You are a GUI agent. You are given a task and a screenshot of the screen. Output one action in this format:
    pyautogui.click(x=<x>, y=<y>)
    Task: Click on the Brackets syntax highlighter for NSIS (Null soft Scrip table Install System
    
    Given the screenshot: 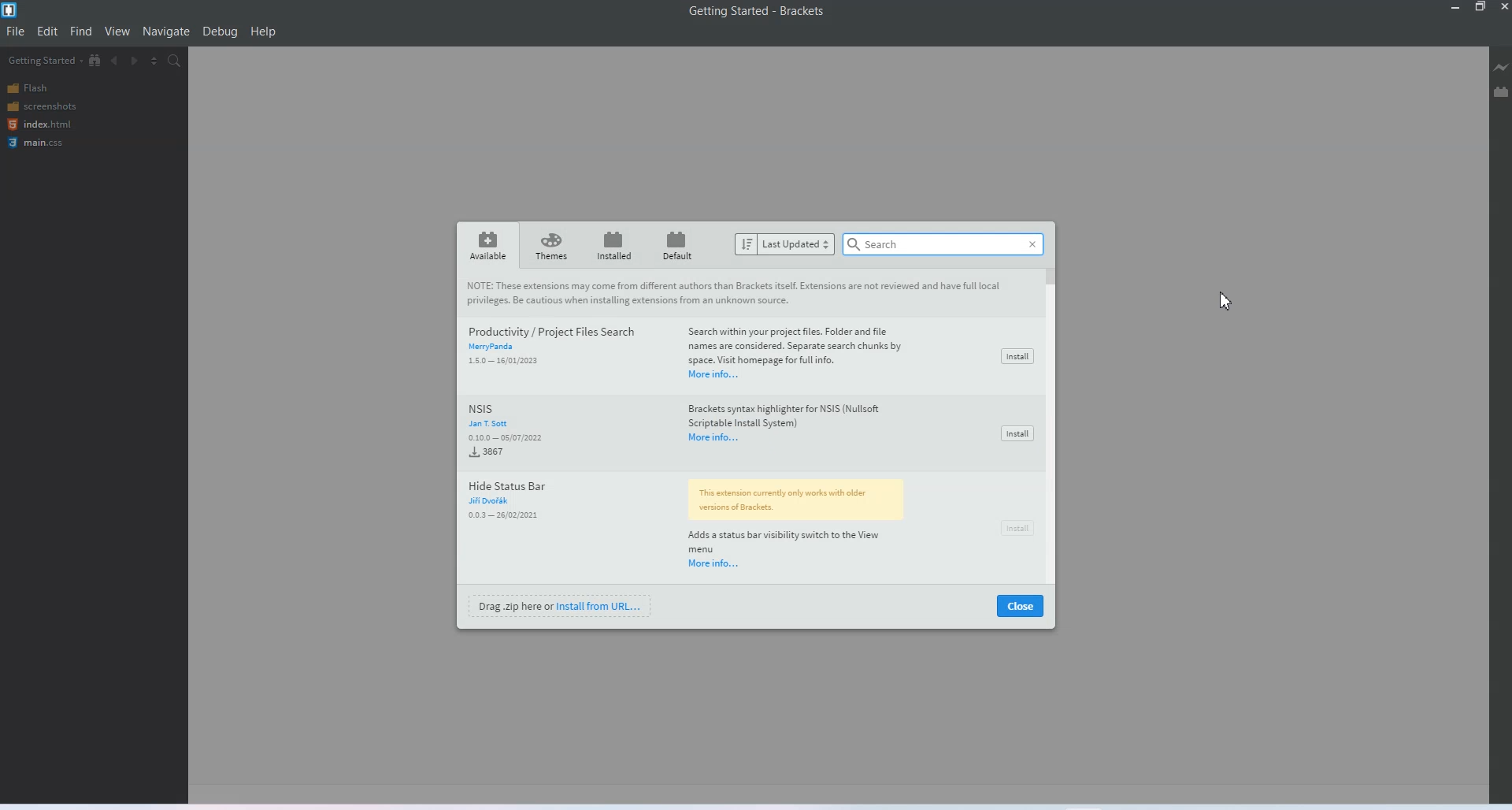 What is the action you would take?
    pyautogui.click(x=789, y=416)
    